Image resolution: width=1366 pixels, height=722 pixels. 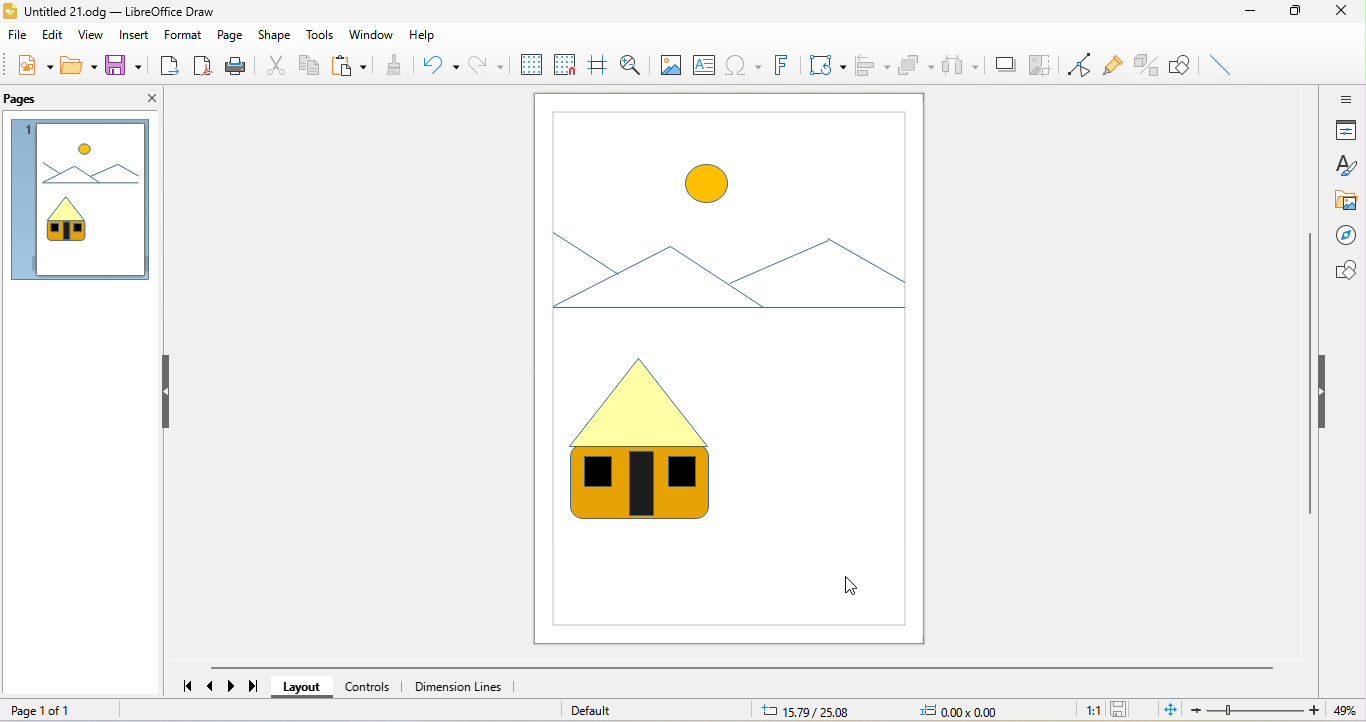 What do you see at coordinates (275, 63) in the screenshot?
I see `cut` at bounding box center [275, 63].